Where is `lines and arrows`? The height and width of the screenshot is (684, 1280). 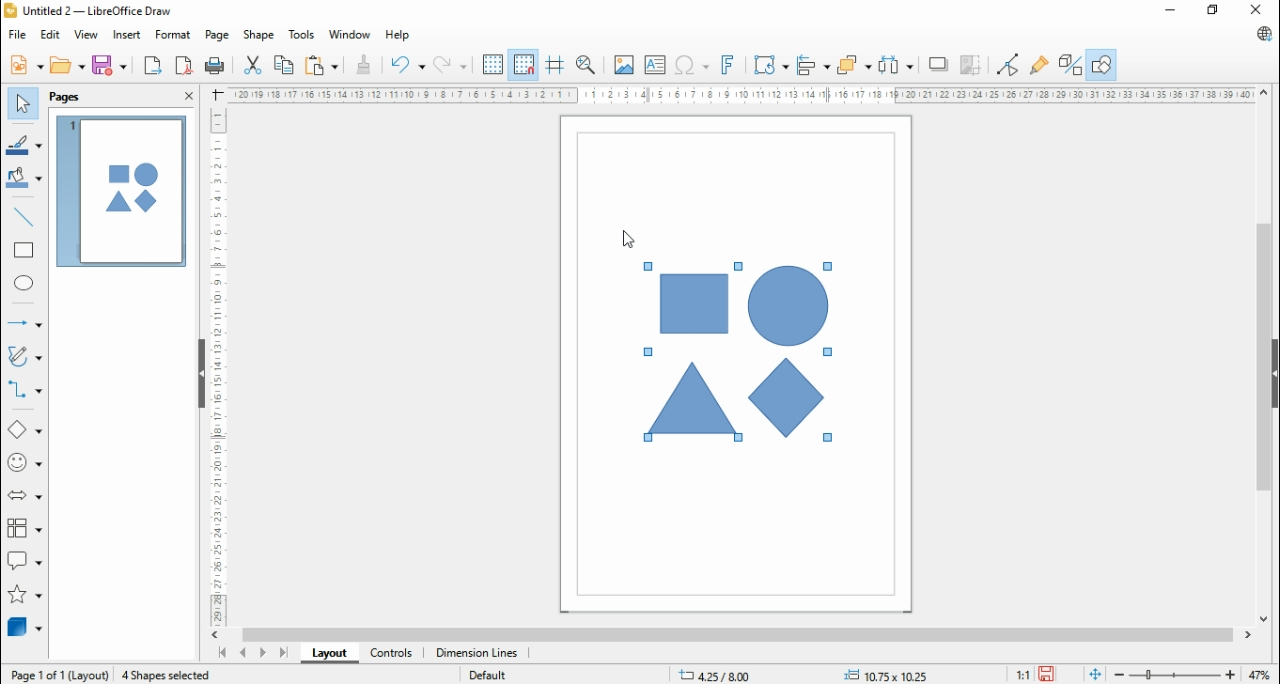
lines and arrows is located at coordinates (22, 323).